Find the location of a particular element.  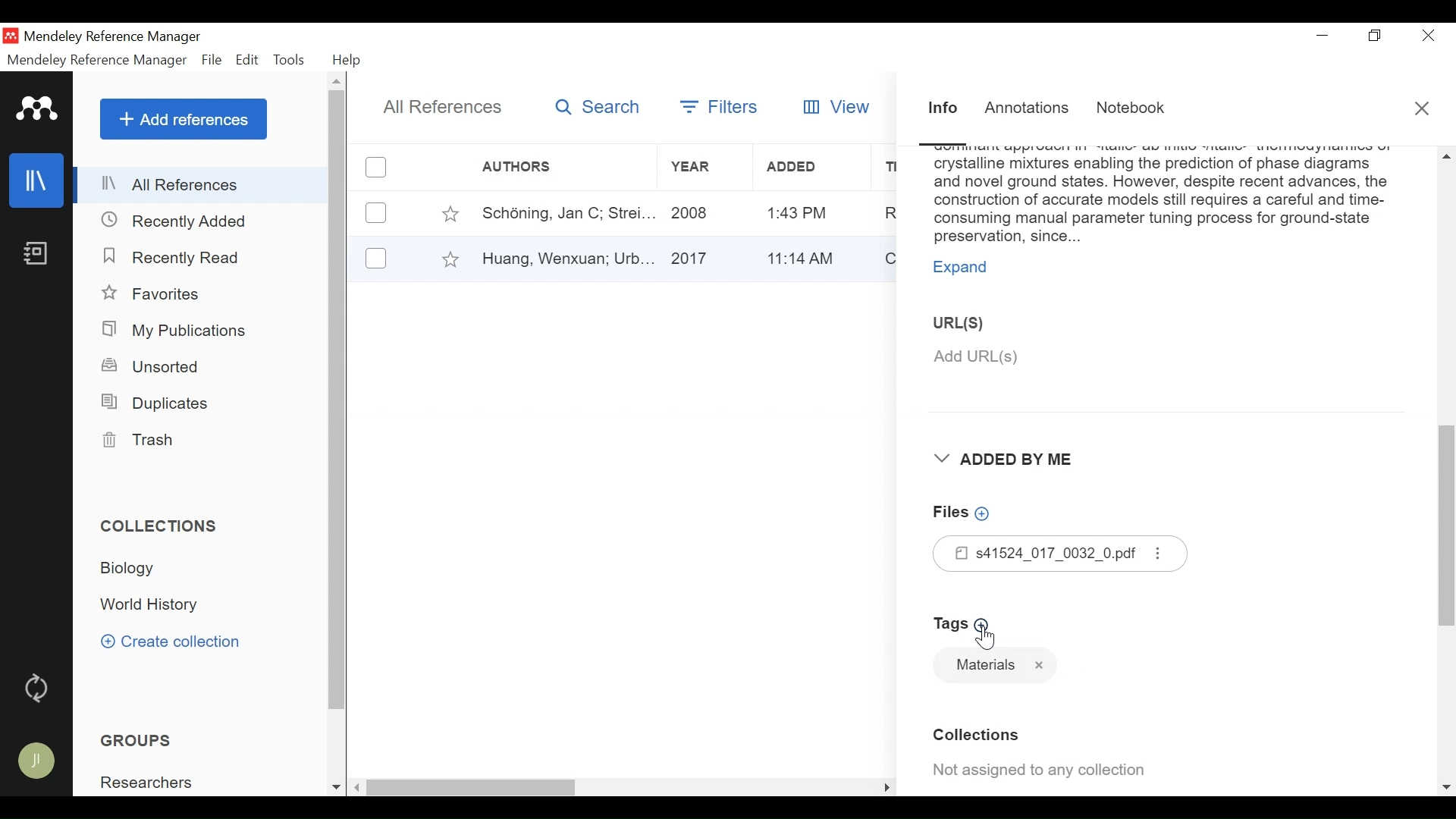

Collection is located at coordinates (979, 733).